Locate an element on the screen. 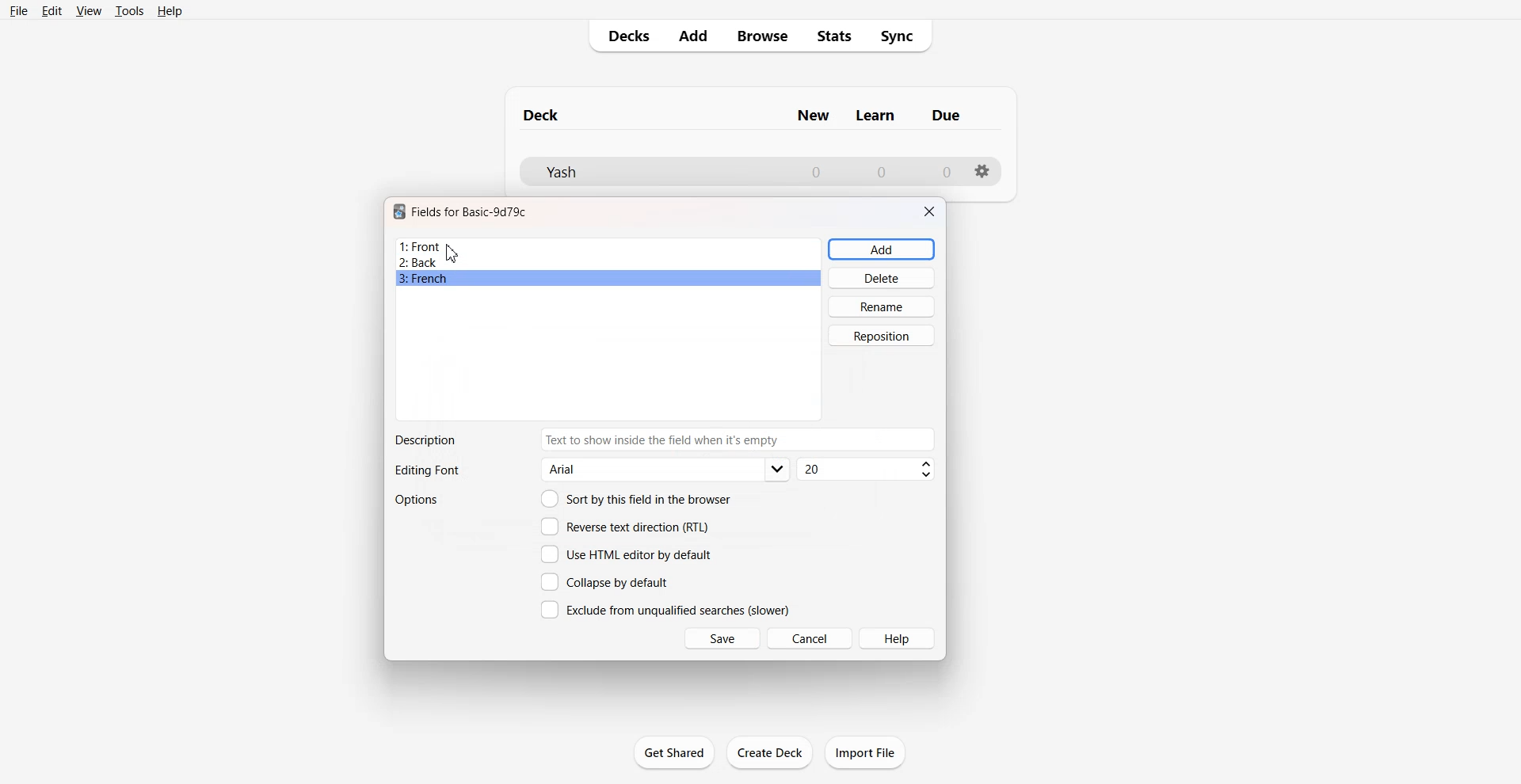  Settings is located at coordinates (983, 171).